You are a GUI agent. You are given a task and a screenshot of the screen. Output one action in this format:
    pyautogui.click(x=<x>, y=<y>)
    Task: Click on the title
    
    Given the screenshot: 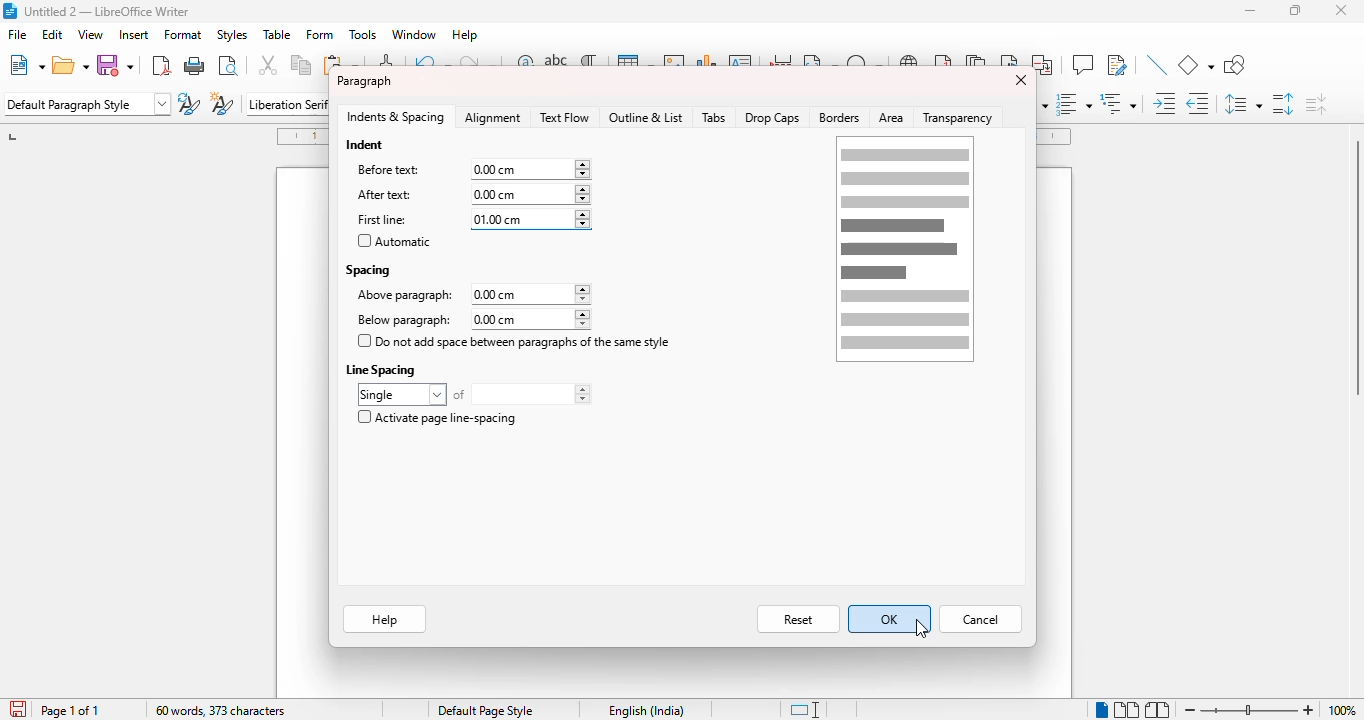 What is the action you would take?
    pyautogui.click(x=106, y=10)
    